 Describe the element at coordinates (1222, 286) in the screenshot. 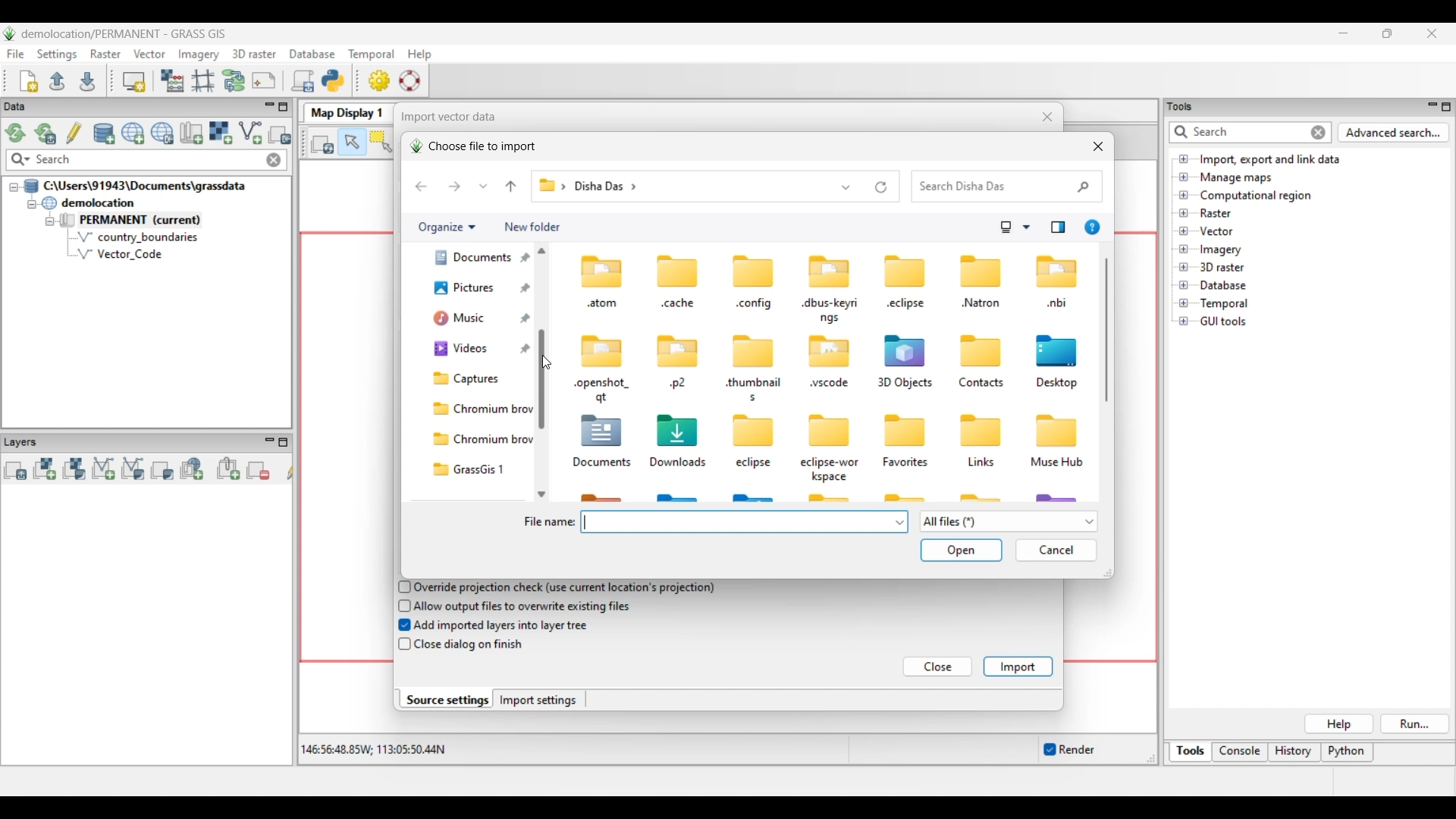

I see `Double click to see files under Database` at that location.